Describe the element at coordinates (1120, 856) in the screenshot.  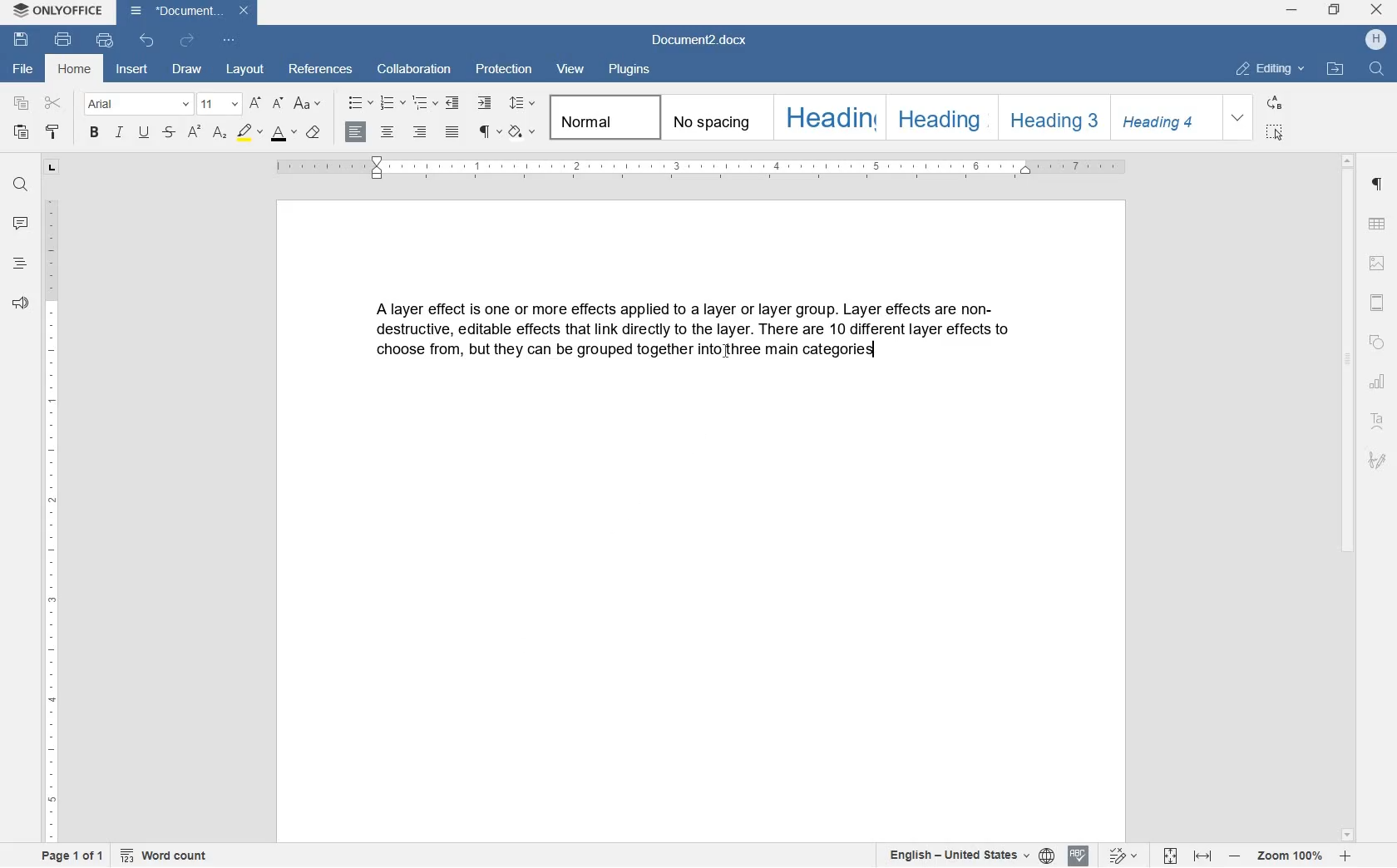
I see `text change` at that location.